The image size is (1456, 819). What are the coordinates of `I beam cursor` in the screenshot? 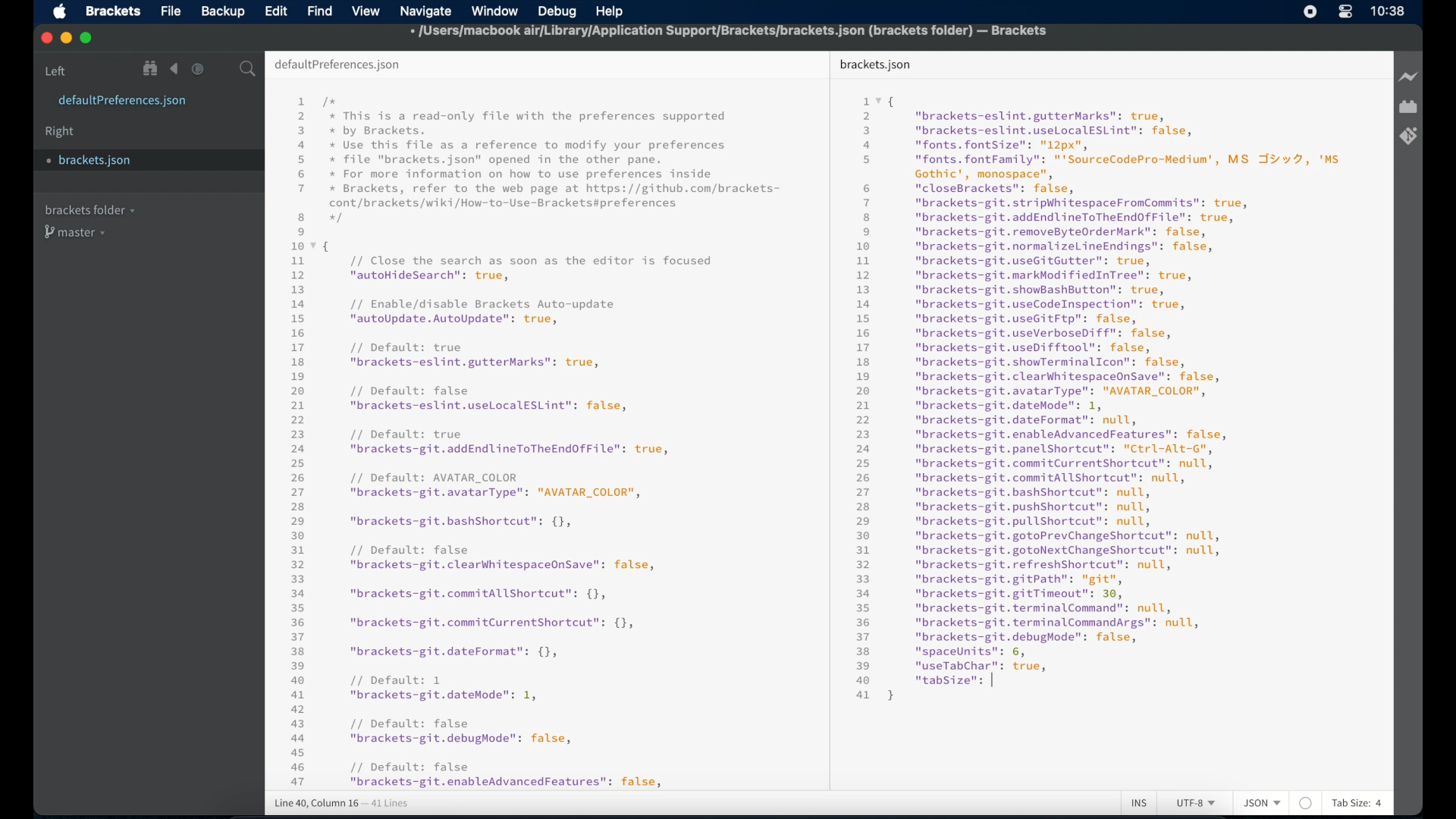 It's located at (1003, 683).